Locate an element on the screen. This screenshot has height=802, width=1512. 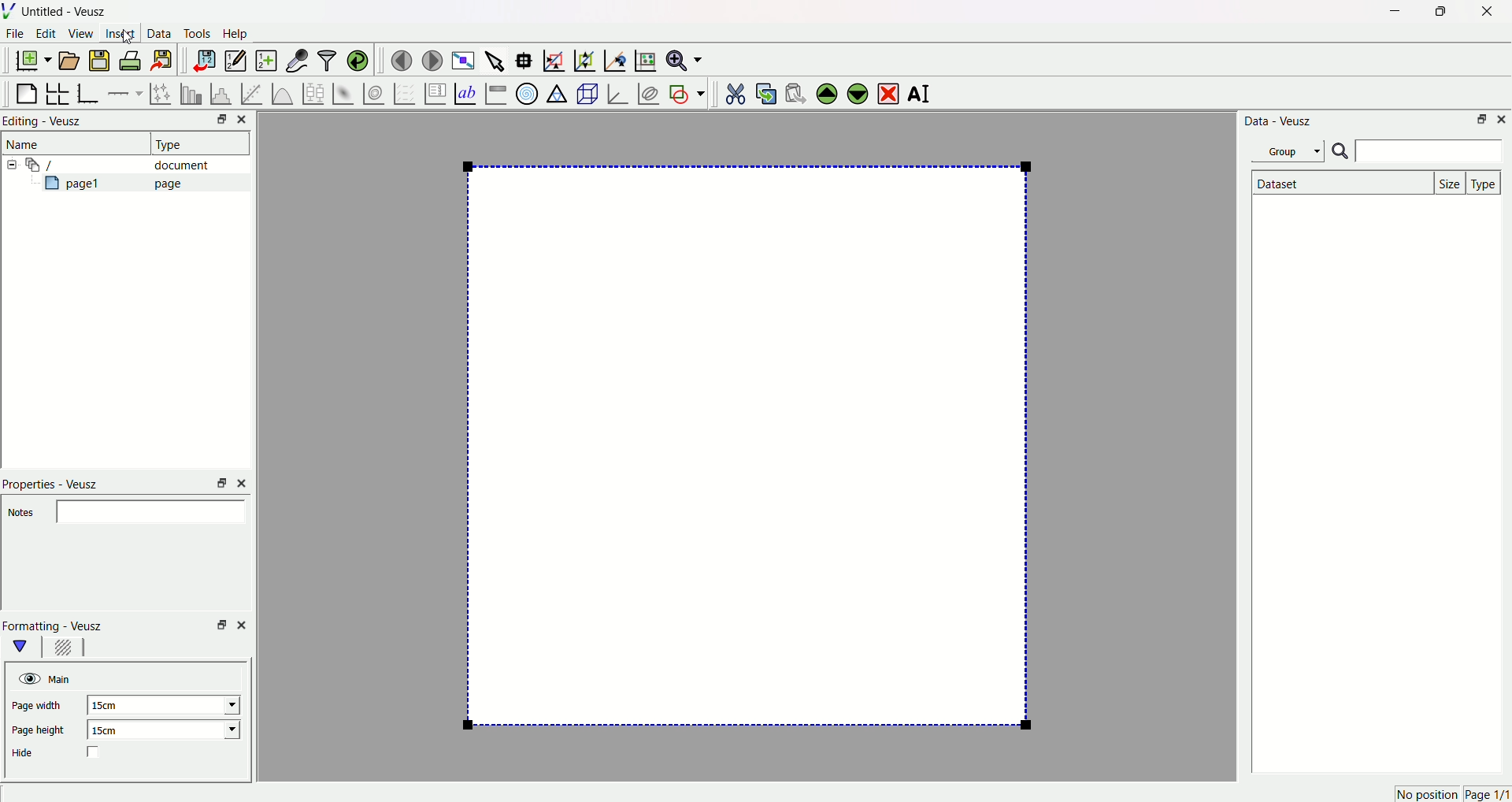
Main is located at coordinates (62, 678).